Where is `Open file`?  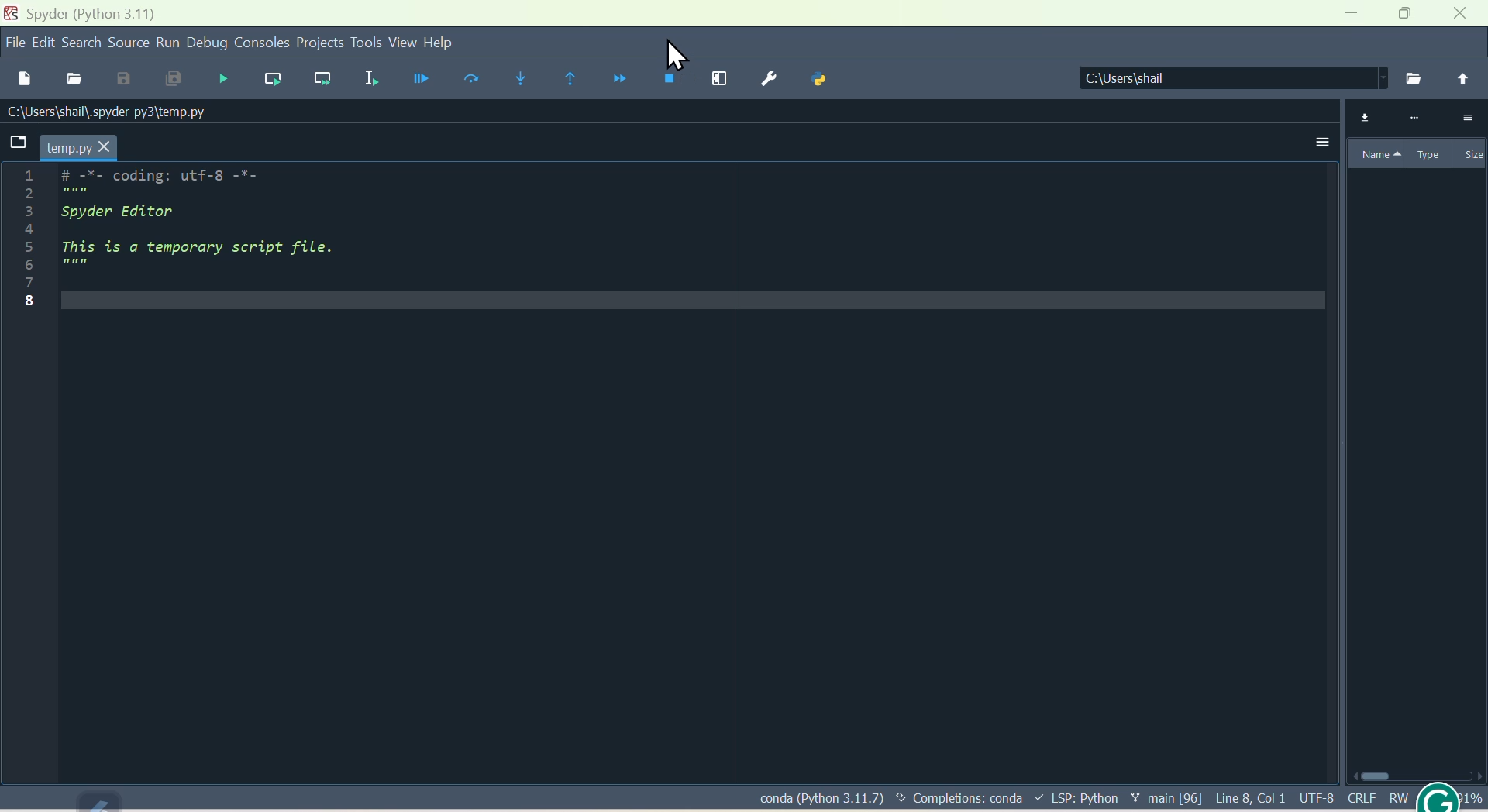 Open file is located at coordinates (74, 78).